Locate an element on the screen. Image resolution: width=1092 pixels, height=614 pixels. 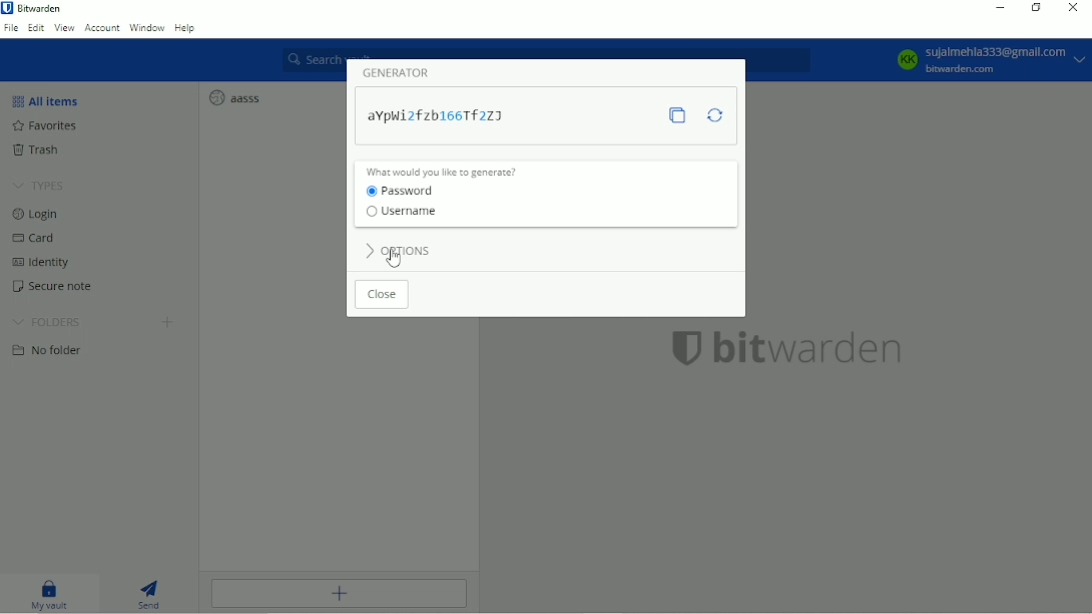
Card is located at coordinates (35, 238).